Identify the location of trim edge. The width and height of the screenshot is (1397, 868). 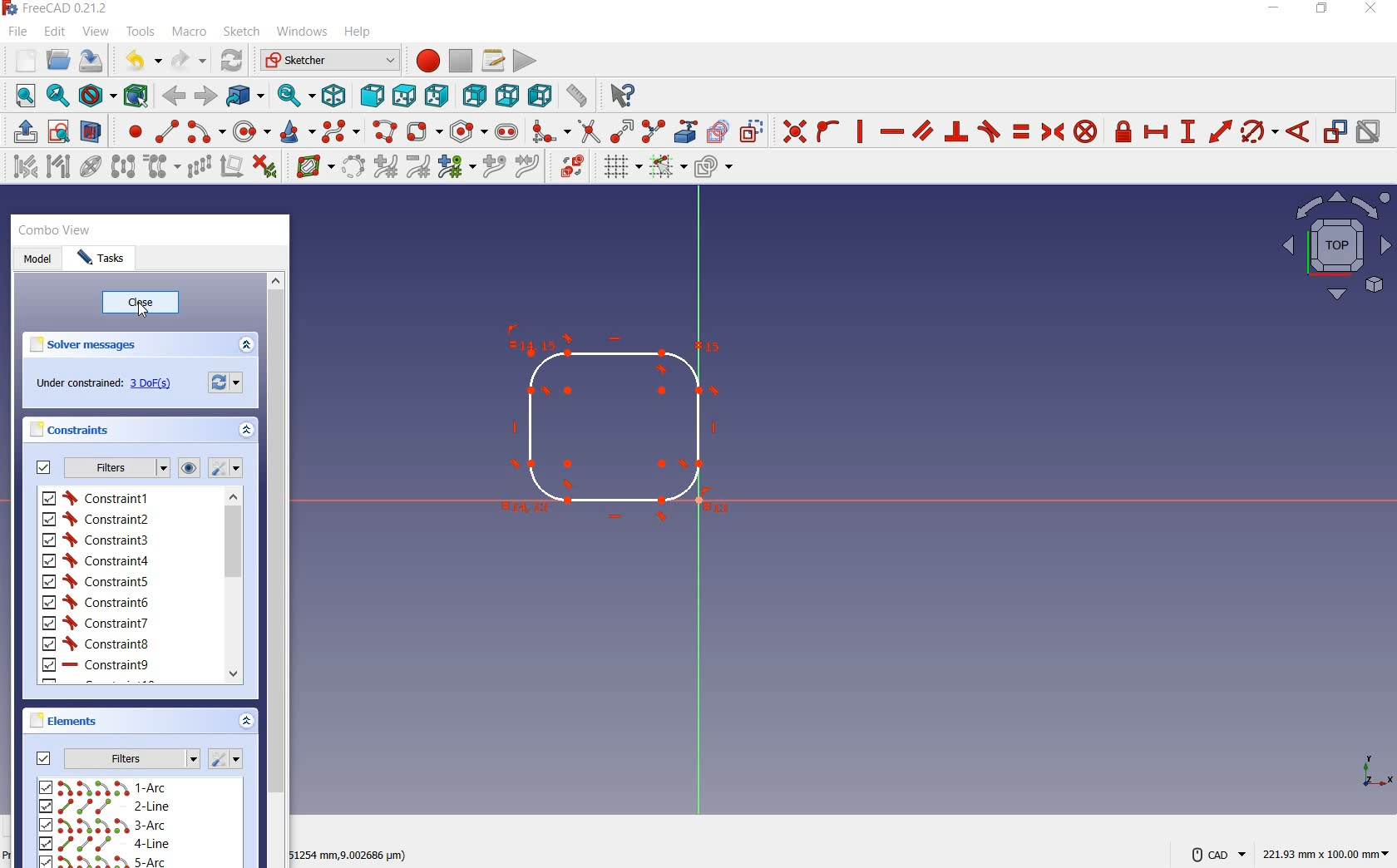
(590, 134).